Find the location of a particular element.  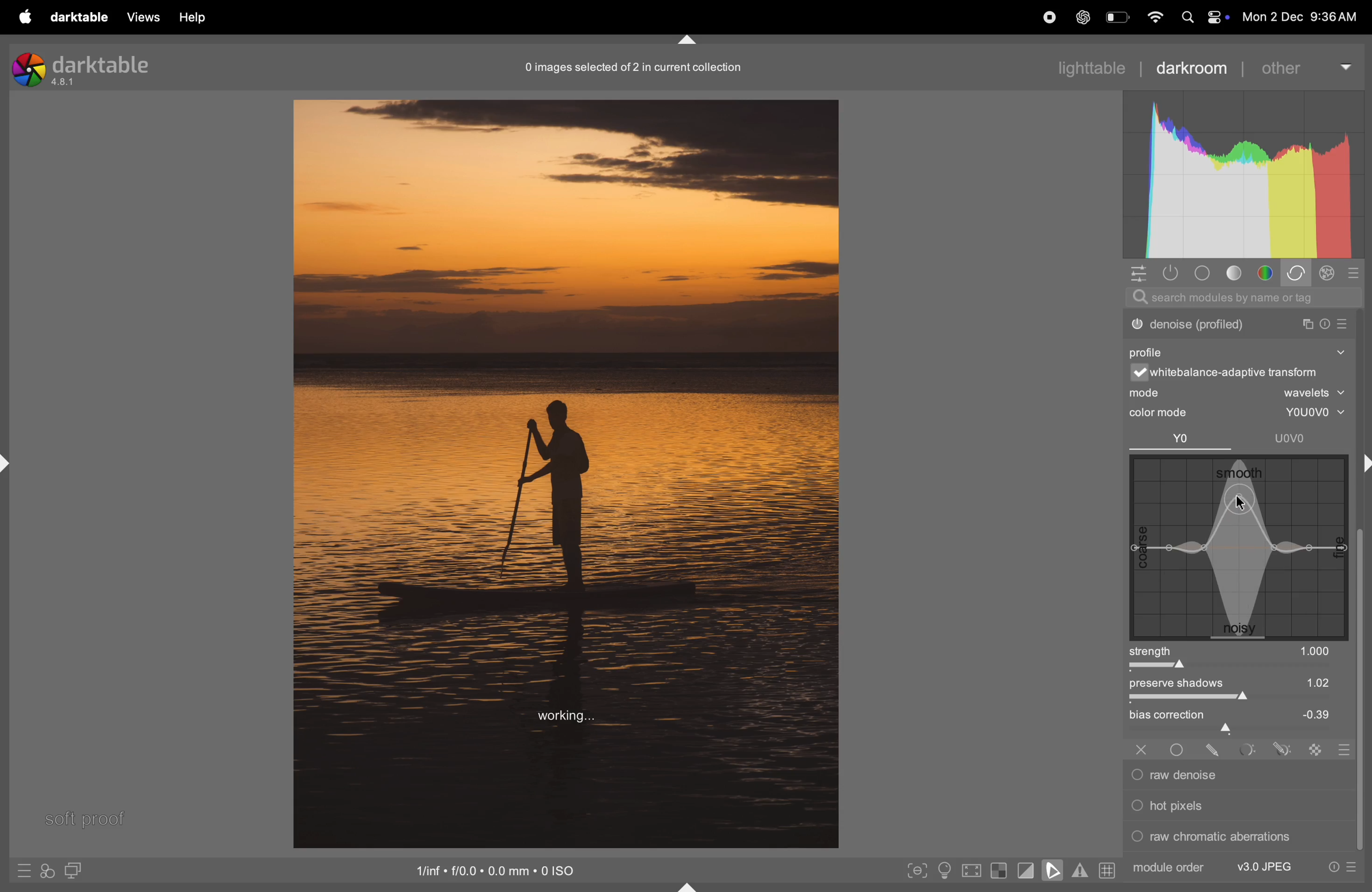

soft proffing is located at coordinates (85, 817).